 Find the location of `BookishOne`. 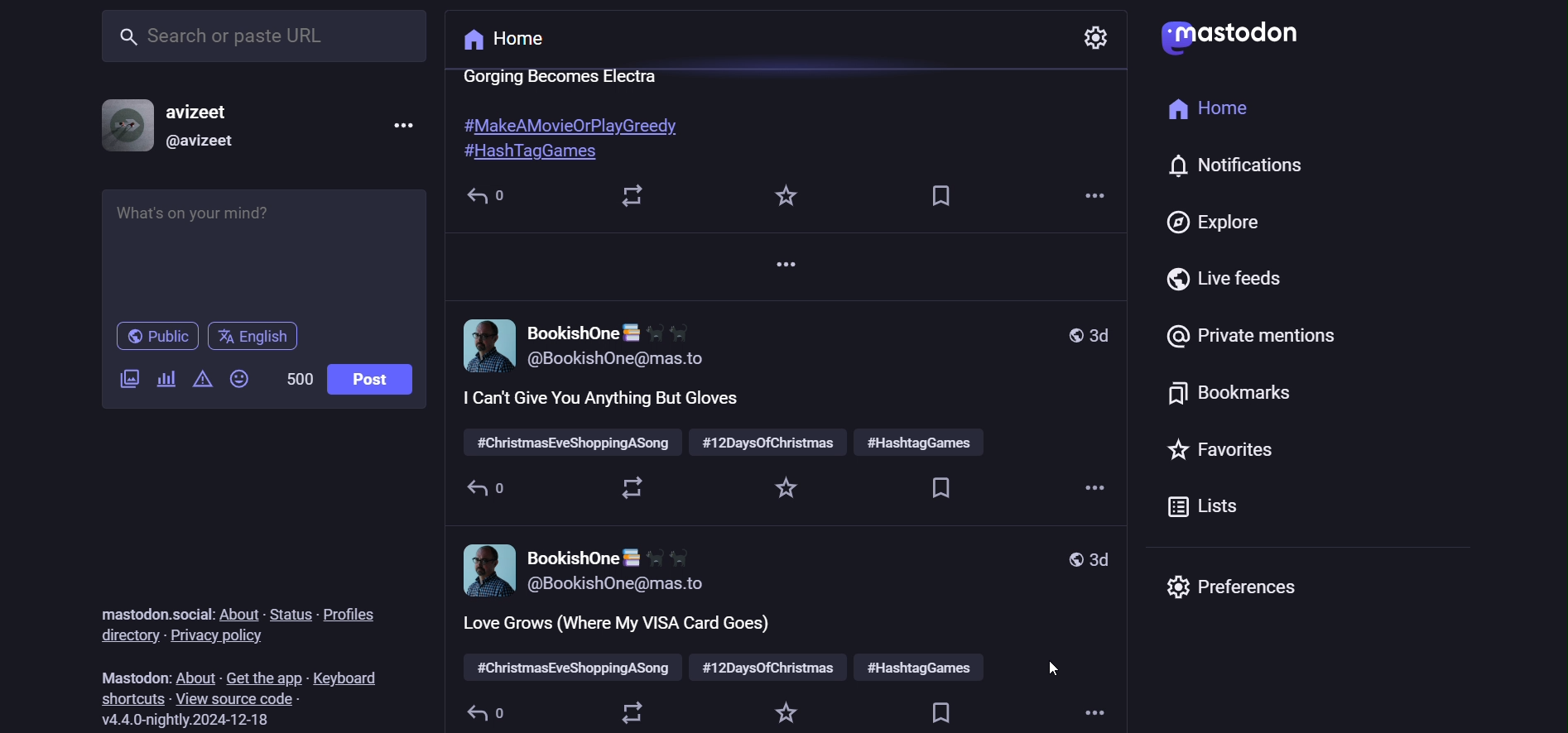

BookishOne is located at coordinates (606, 557).